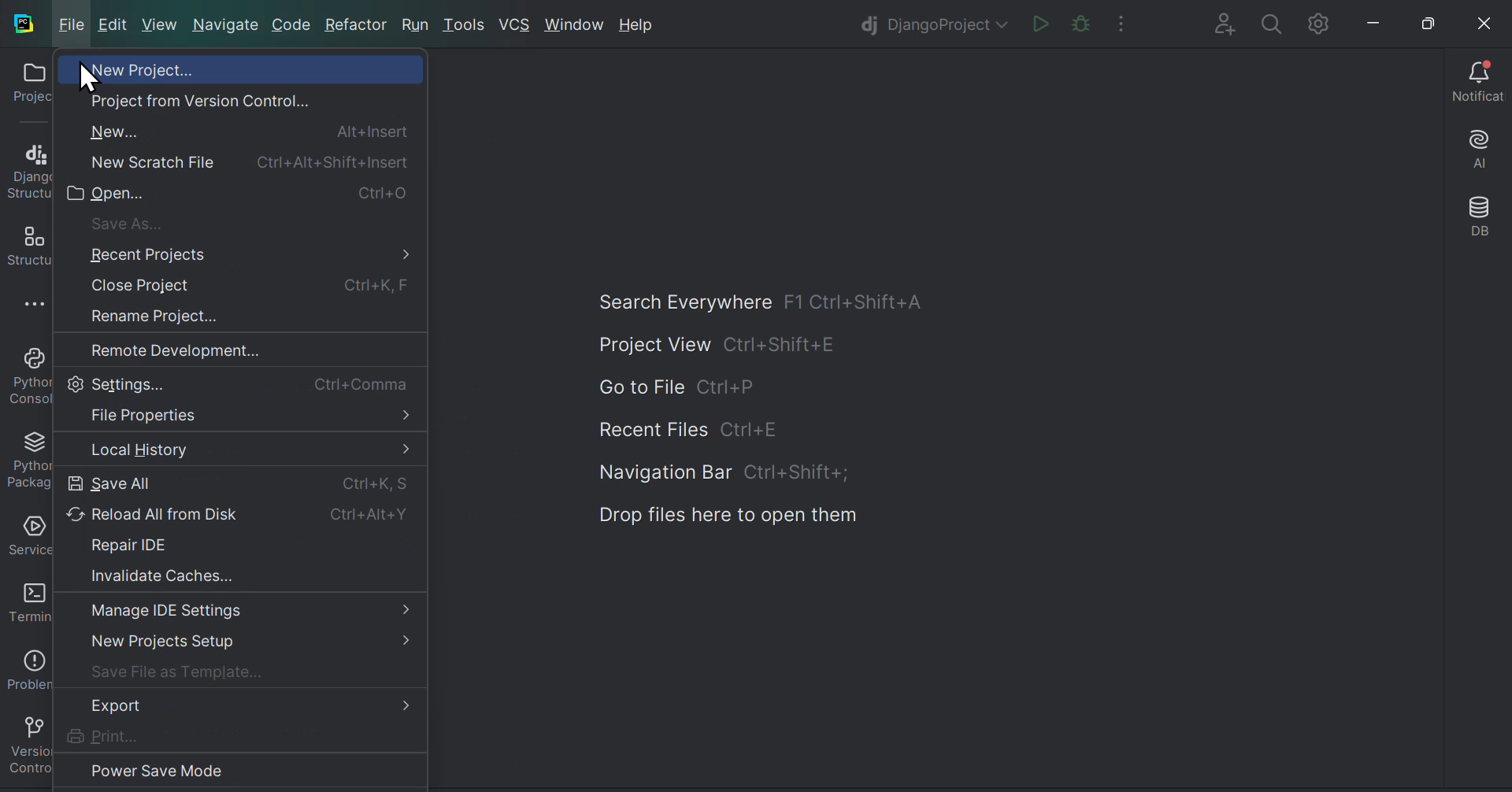 The width and height of the screenshot is (1512, 792). What do you see at coordinates (1317, 21) in the screenshot?
I see `Settings` at bounding box center [1317, 21].